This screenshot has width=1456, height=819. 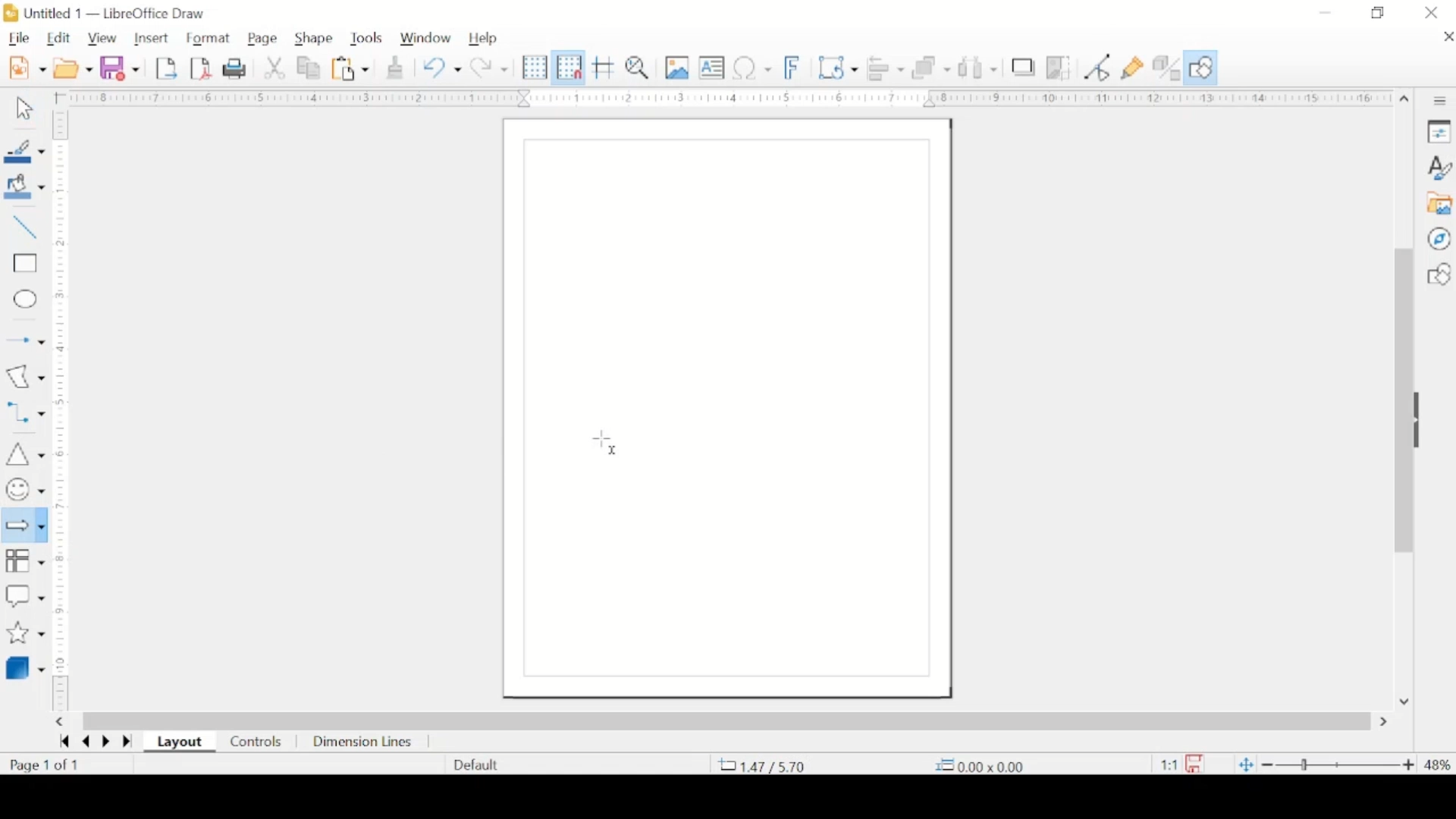 What do you see at coordinates (1023, 65) in the screenshot?
I see `shadow` at bounding box center [1023, 65].